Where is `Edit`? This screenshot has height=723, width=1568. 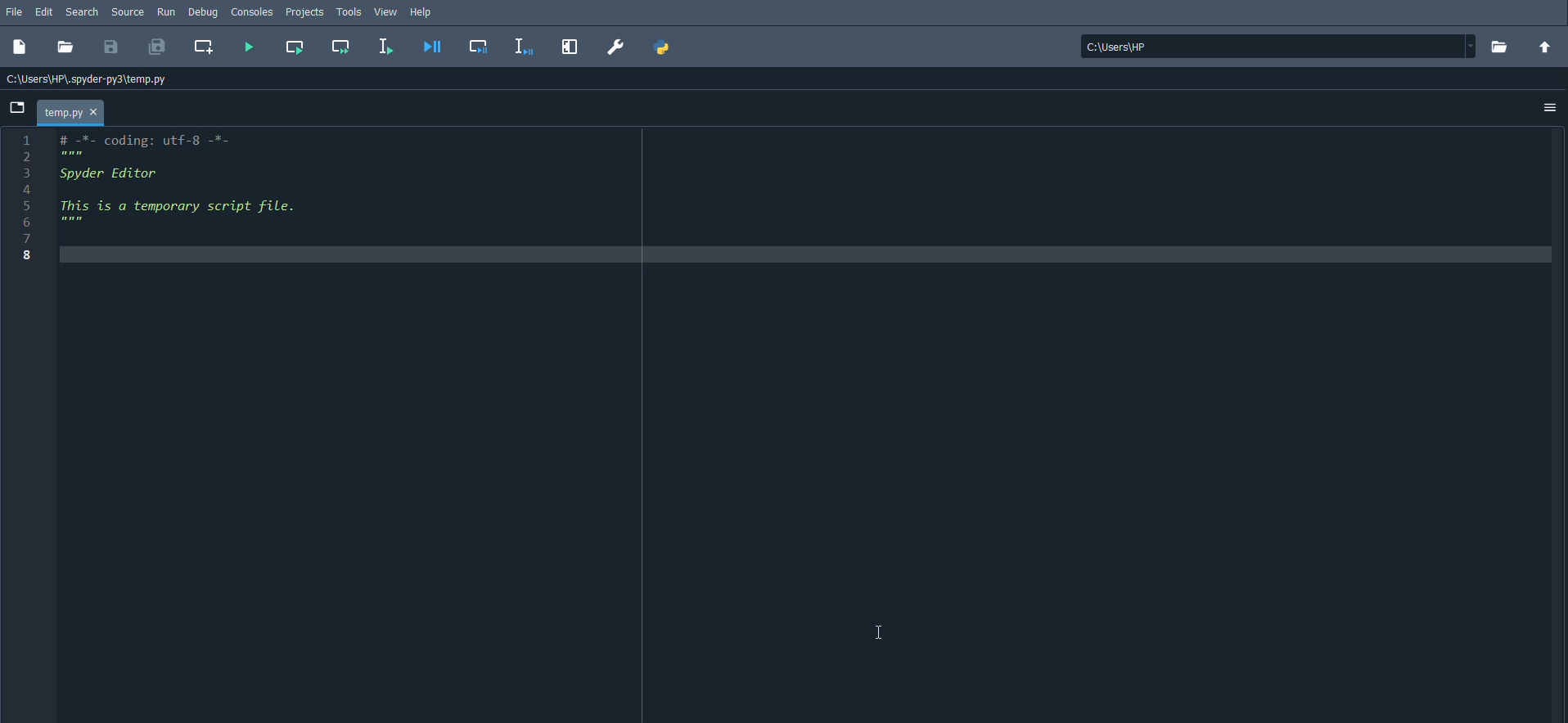 Edit is located at coordinates (46, 11).